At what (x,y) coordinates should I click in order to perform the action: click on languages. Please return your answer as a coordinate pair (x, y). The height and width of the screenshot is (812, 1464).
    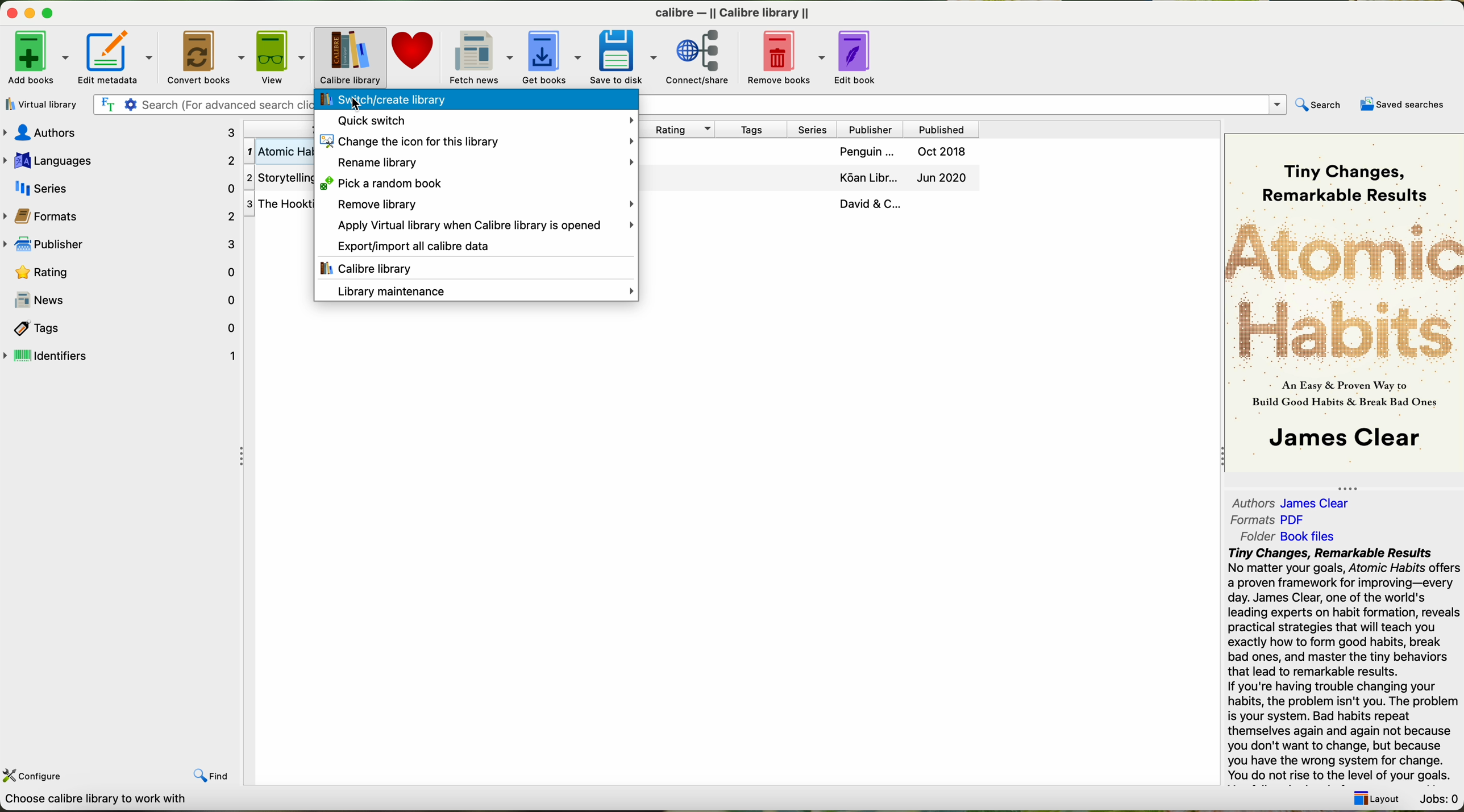
    Looking at the image, I should click on (120, 159).